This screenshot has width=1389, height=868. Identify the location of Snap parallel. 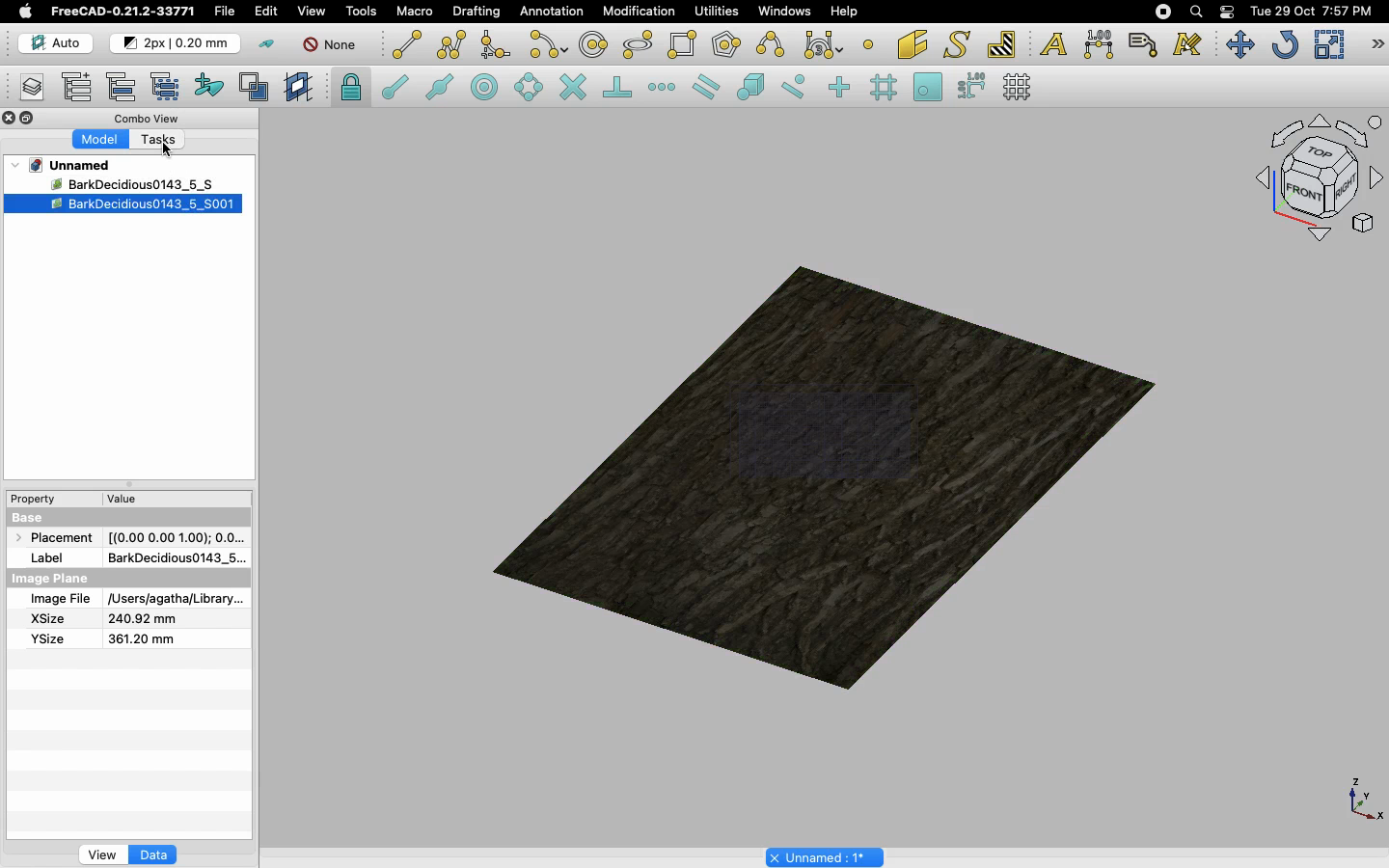
(706, 87).